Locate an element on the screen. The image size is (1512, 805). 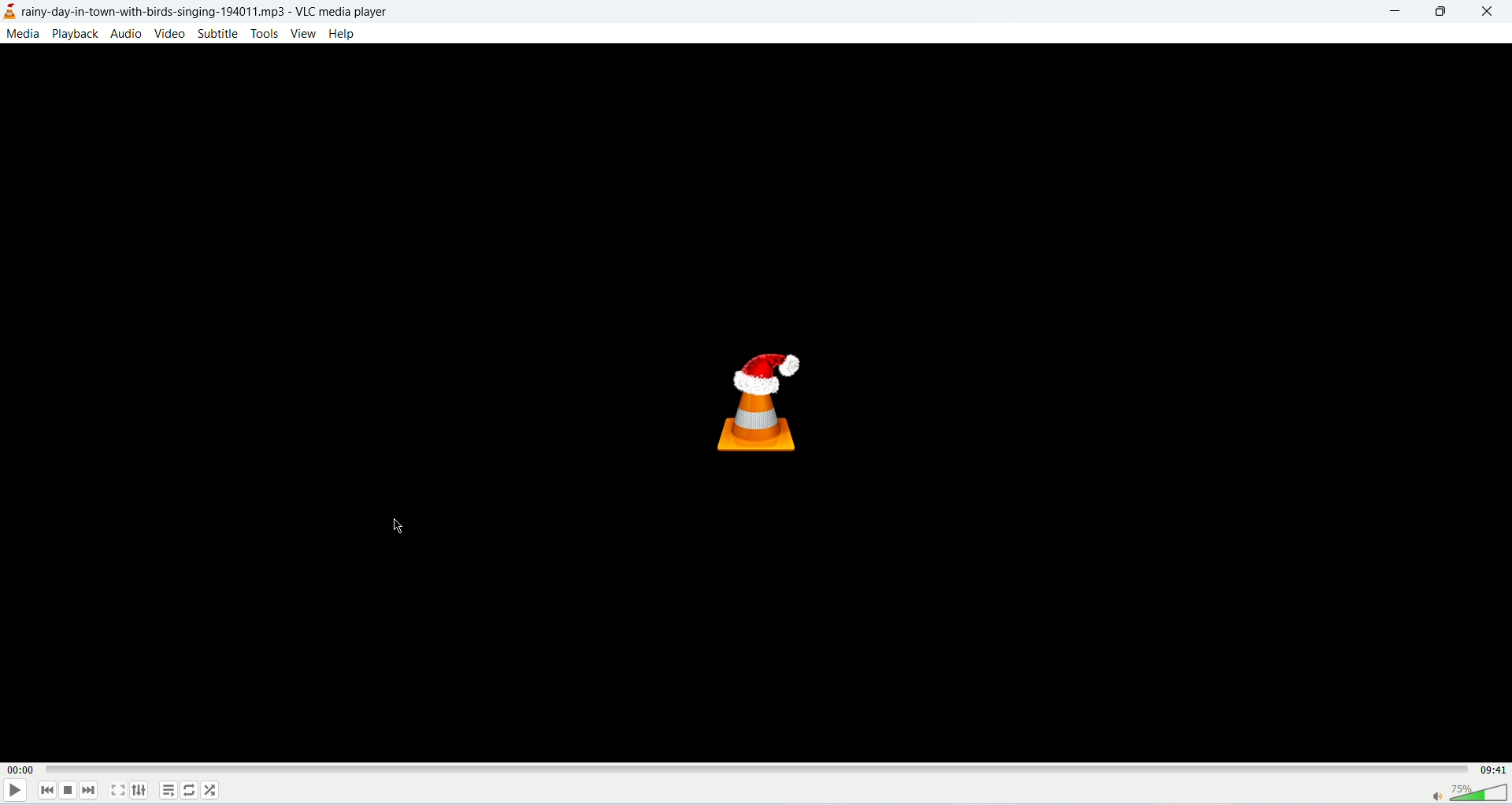
loop is located at coordinates (191, 790).